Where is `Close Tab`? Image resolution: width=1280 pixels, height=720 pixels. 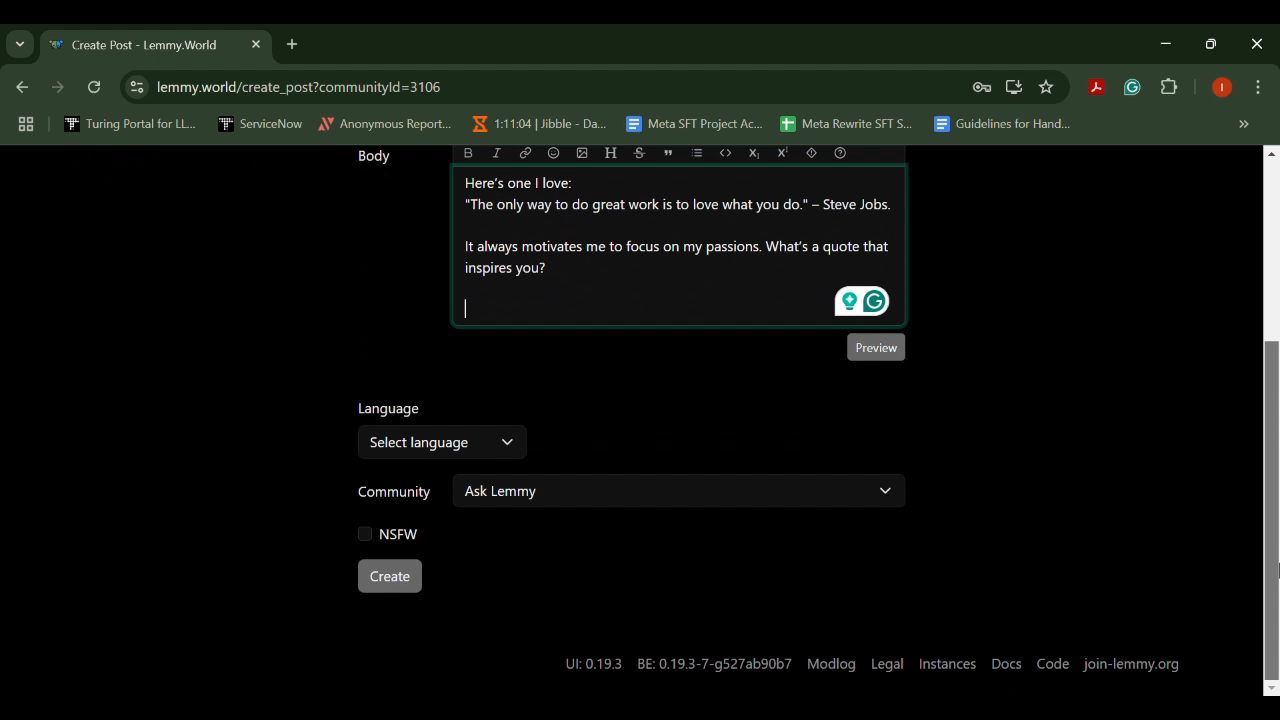 Close Tab is located at coordinates (254, 44).